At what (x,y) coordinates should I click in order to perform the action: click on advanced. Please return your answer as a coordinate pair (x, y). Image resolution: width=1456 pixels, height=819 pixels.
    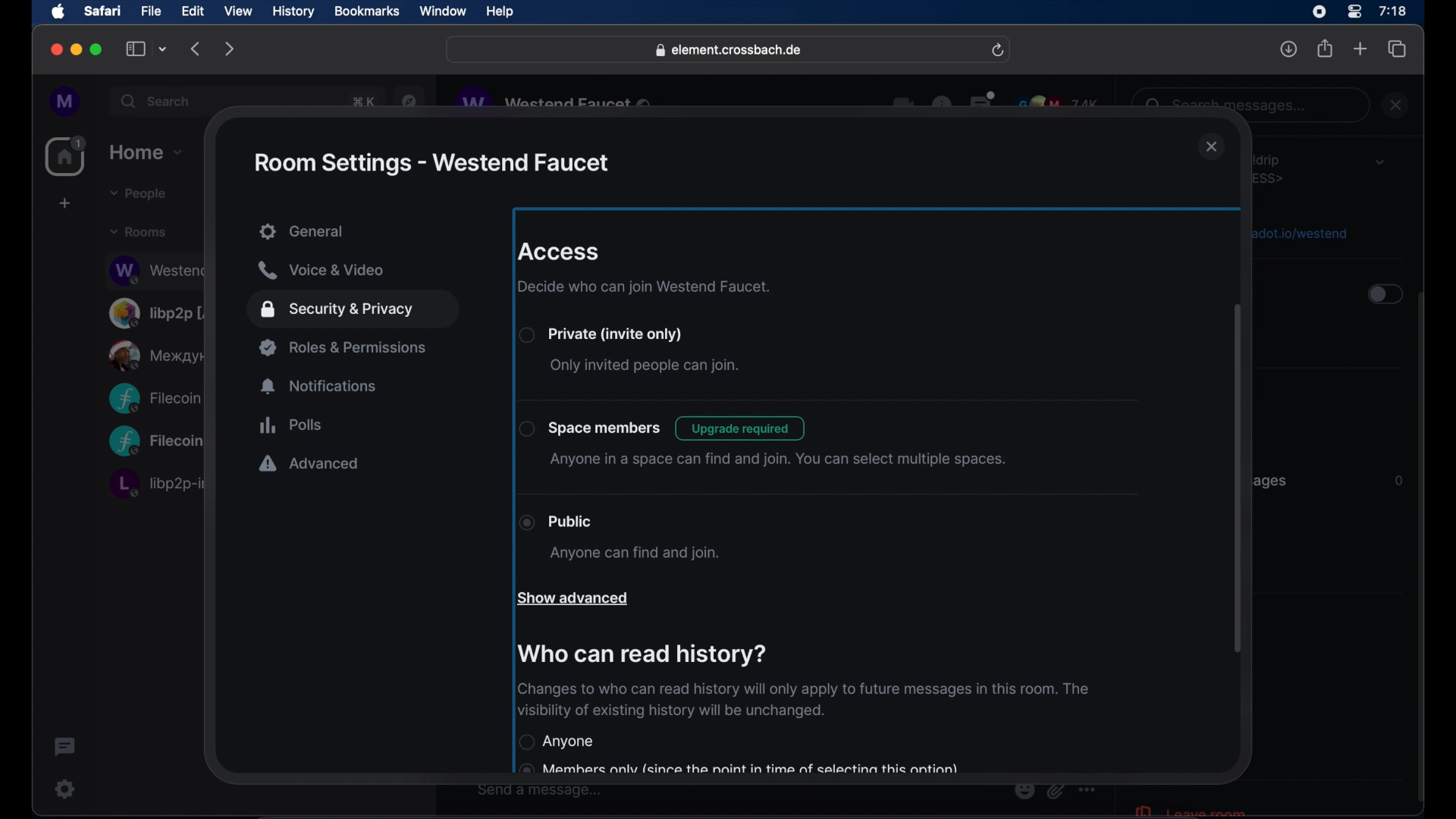
    Looking at the image, I should click on (309, 465).